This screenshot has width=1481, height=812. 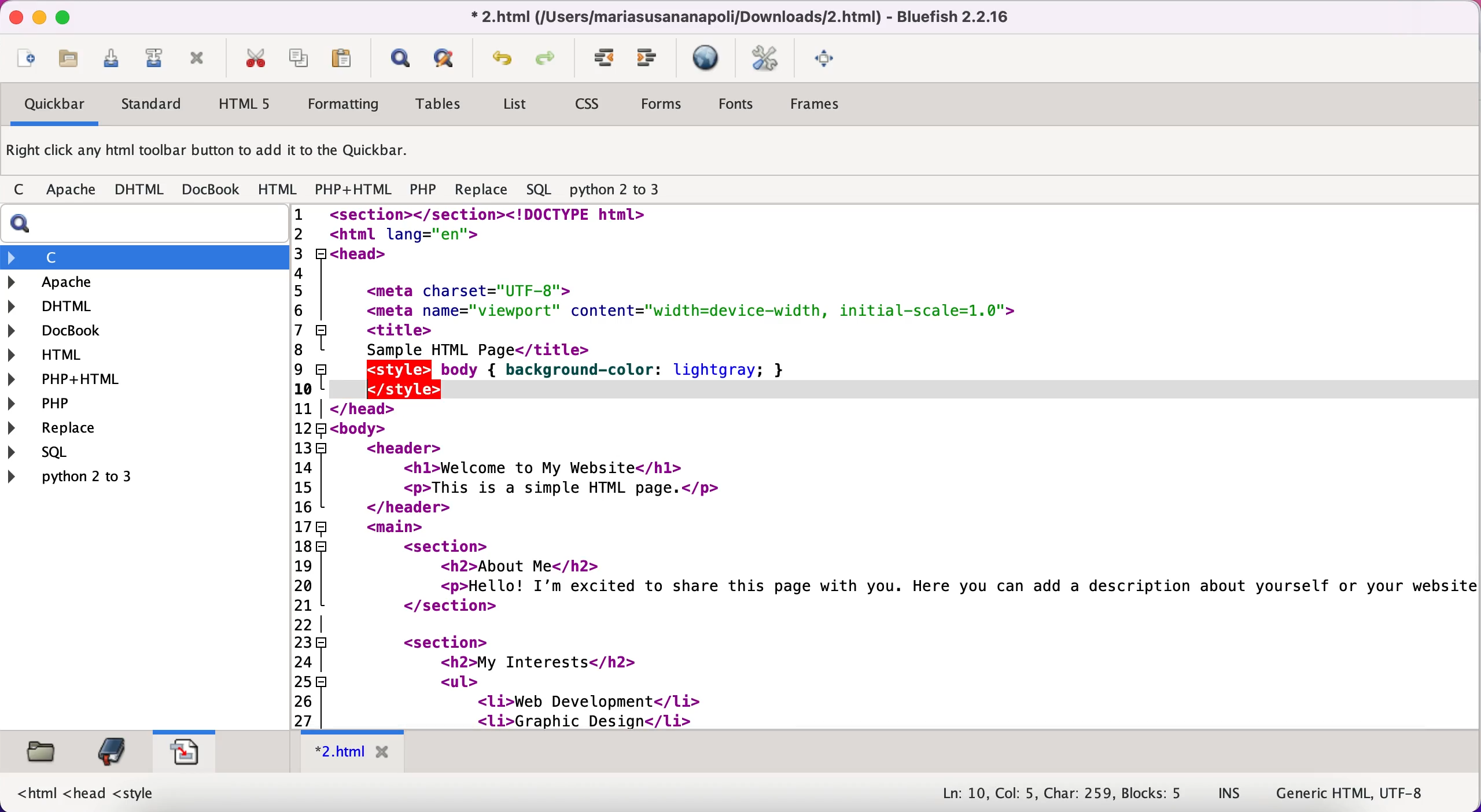 I want to click on c, so click(x=23, y=191).